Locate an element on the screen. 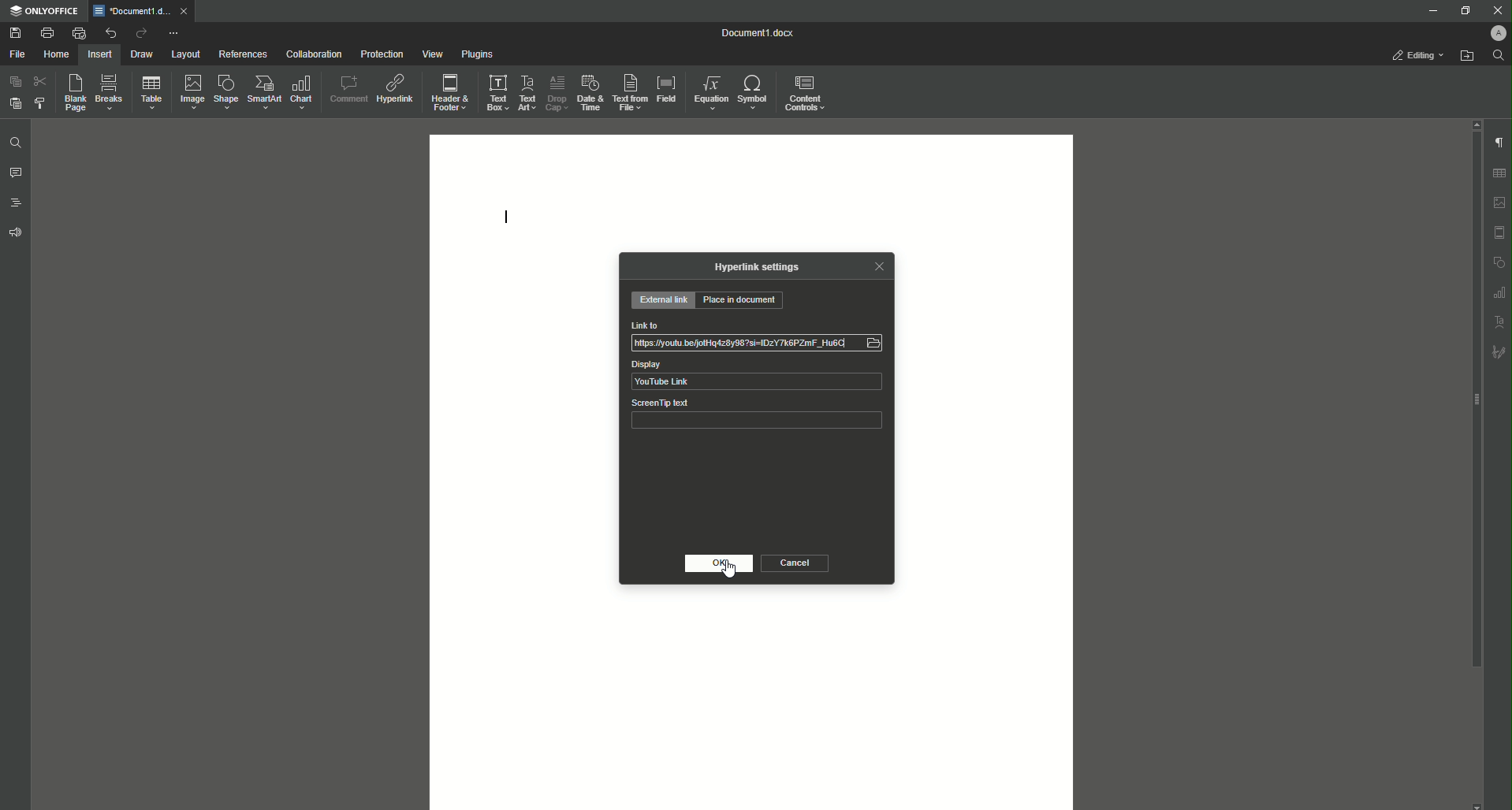 This screenshot has width=1512, height=810. Cursor is located at coordinates (732, 574).